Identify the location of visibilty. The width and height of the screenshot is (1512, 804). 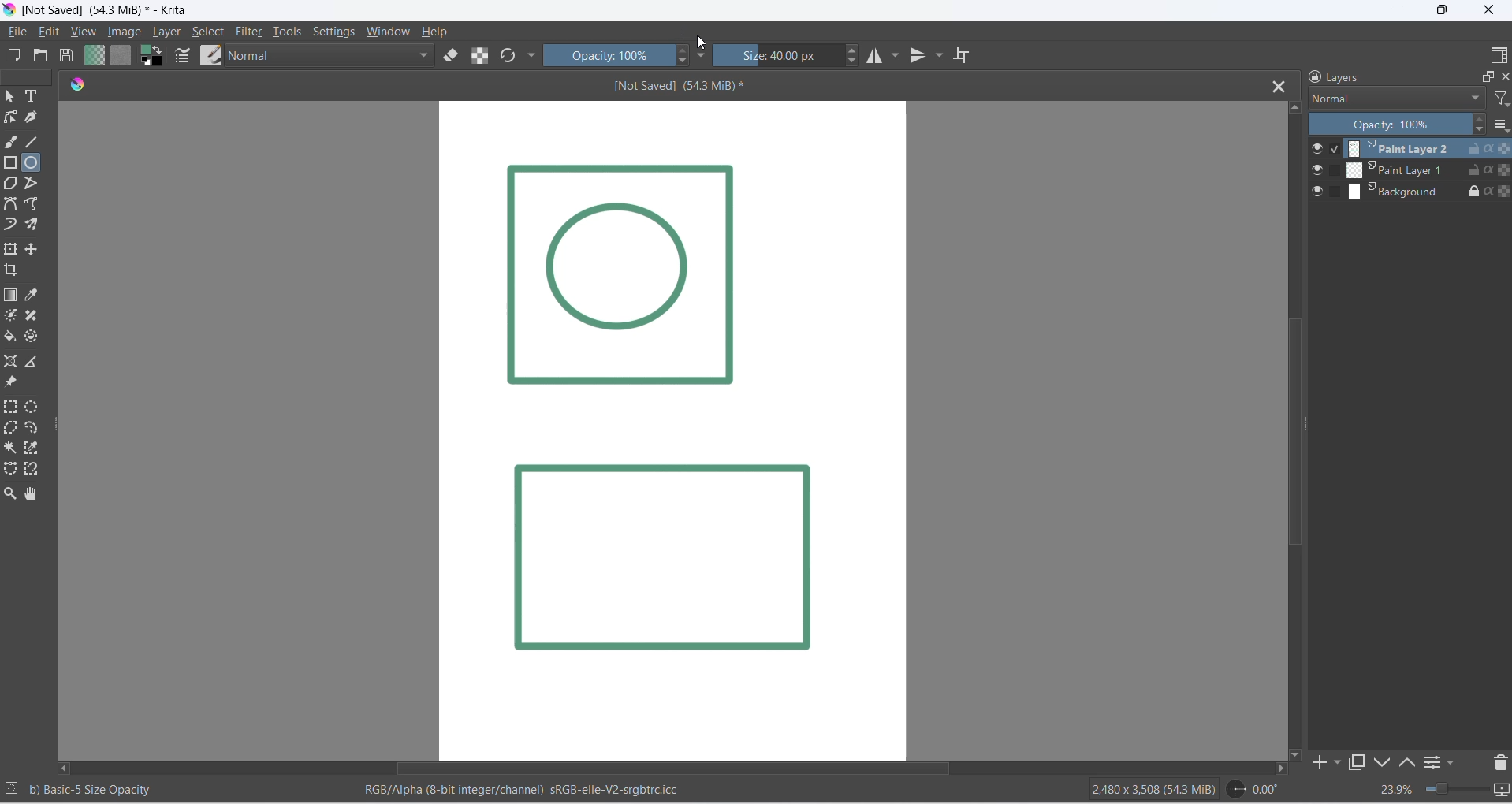
(1316, 191).